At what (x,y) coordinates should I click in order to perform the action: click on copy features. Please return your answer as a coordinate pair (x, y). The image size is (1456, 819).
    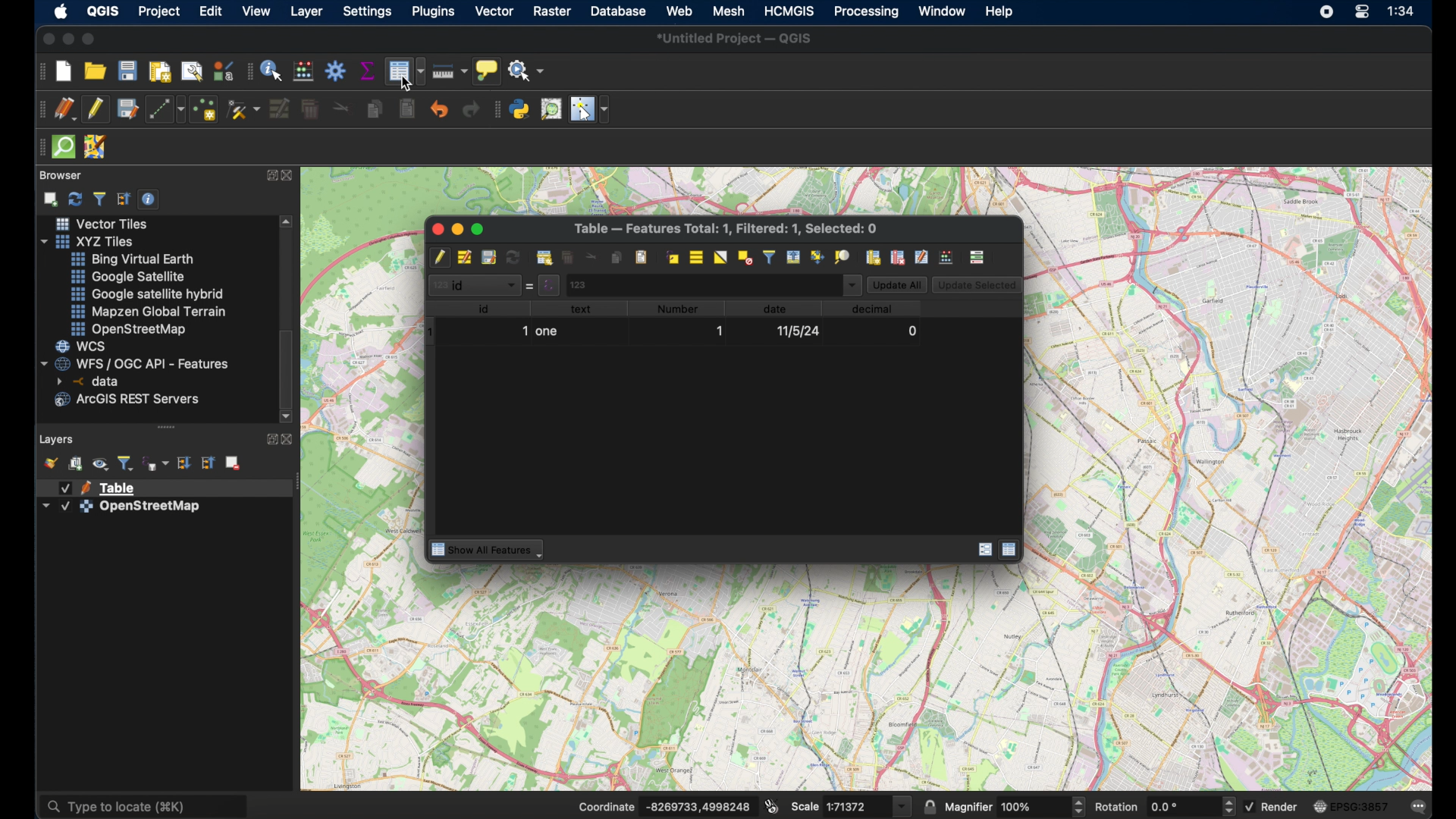
    Looking at the image, I should click on (617, 256).